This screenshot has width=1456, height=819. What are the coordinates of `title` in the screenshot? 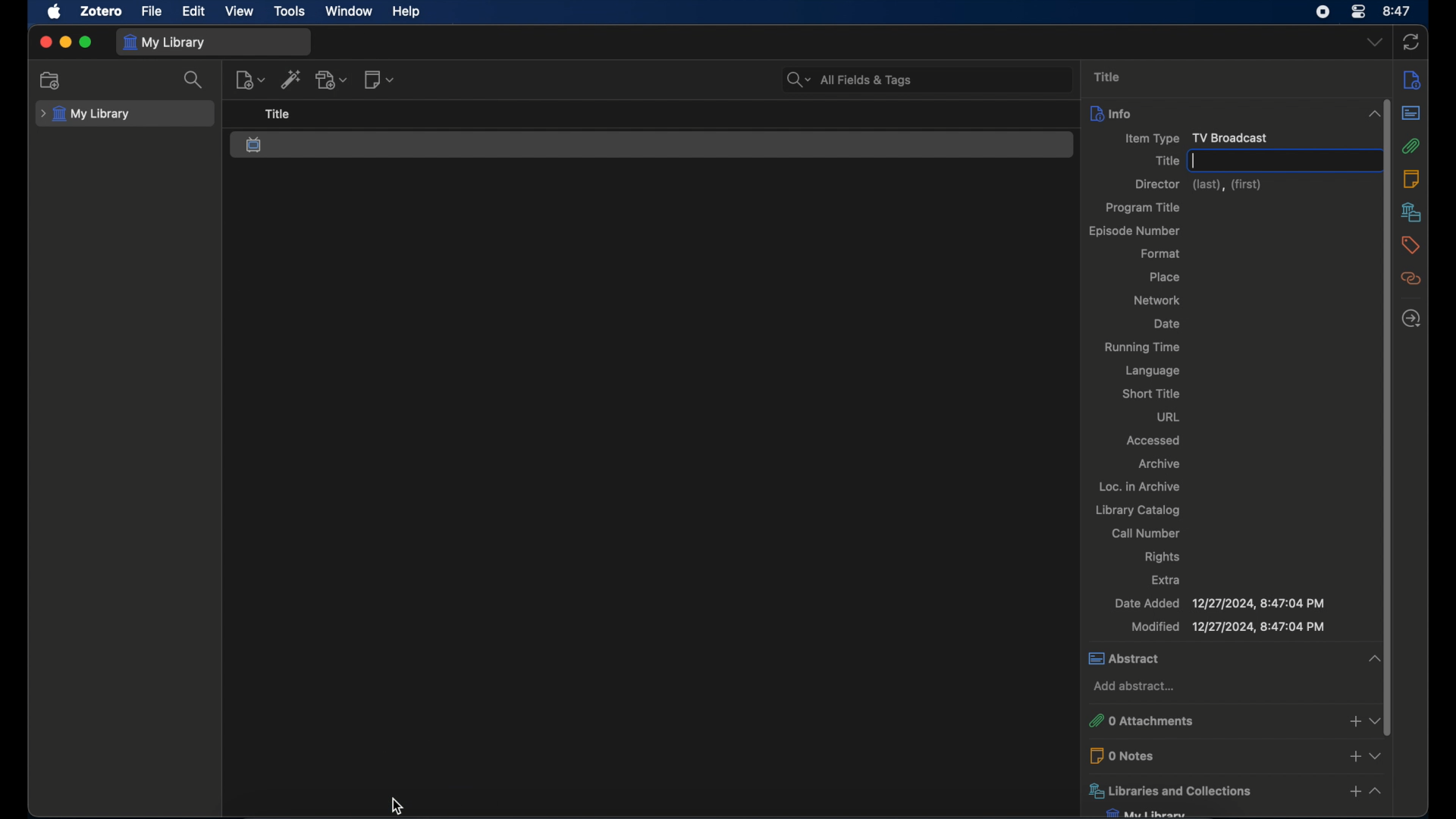 It's located at (1107, 77).